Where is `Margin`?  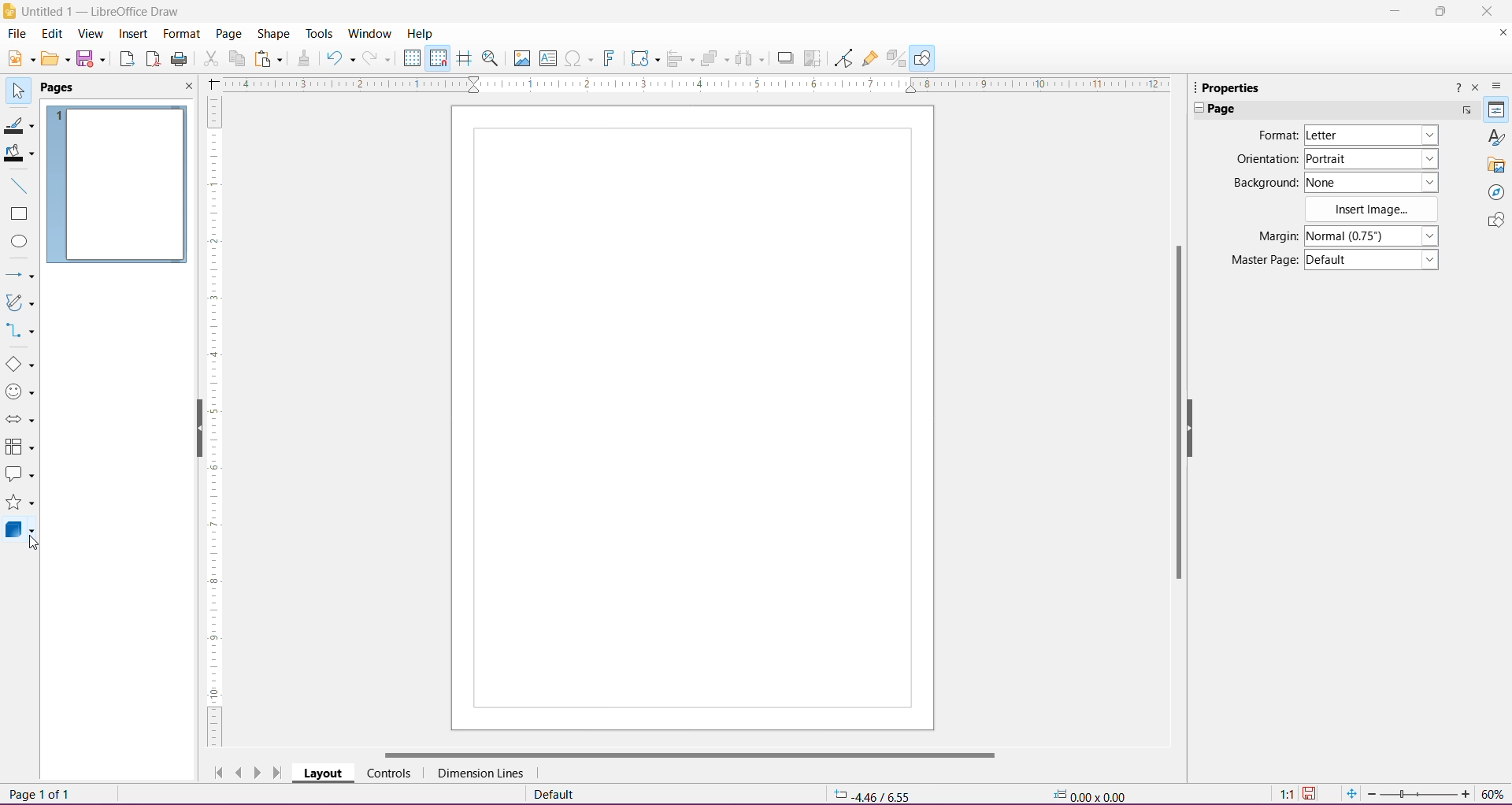 Margin is located at coordinates (1273, 236).